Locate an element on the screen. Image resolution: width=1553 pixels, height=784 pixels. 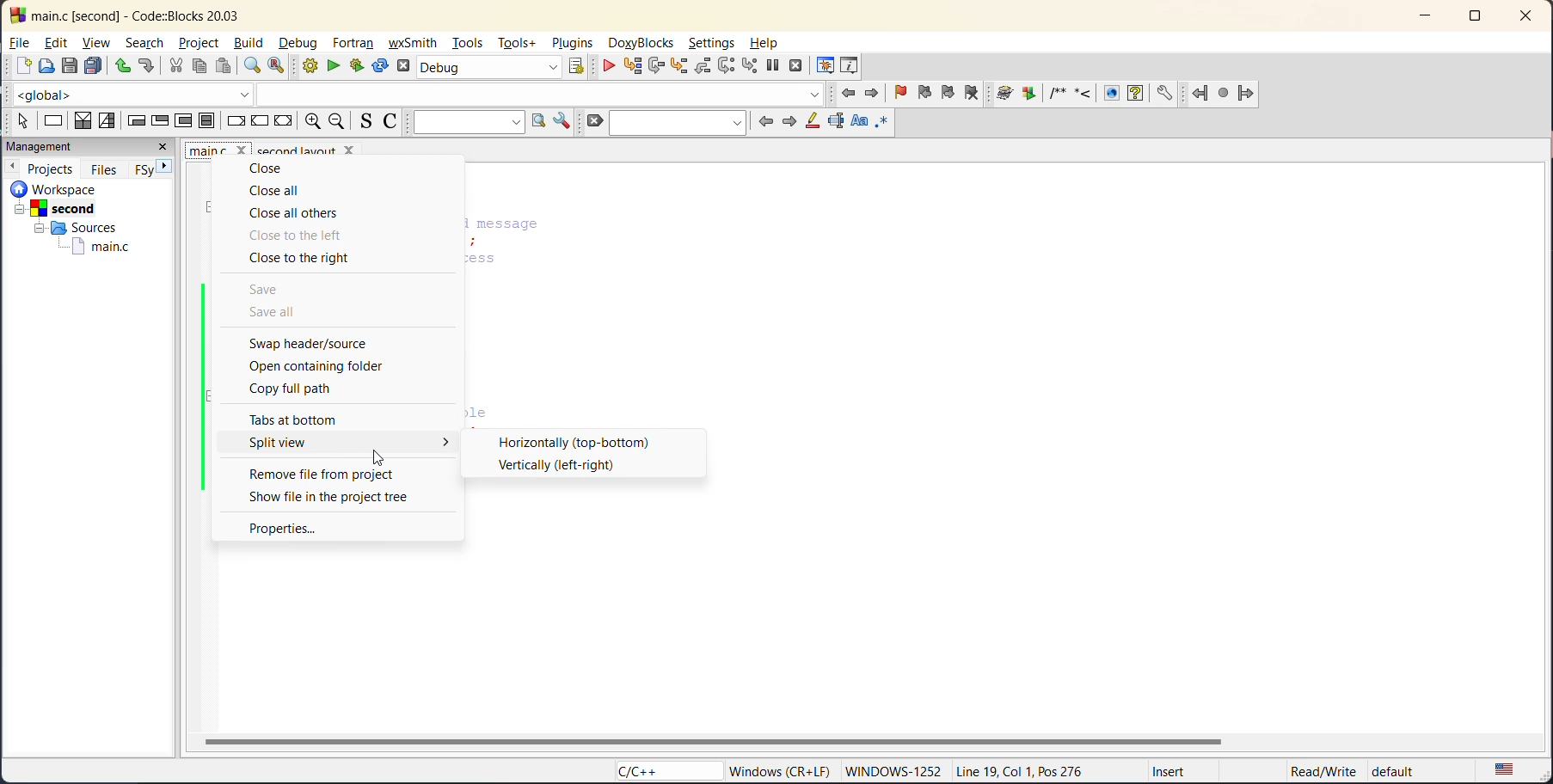
selected text is located at coordinates (834, 123).